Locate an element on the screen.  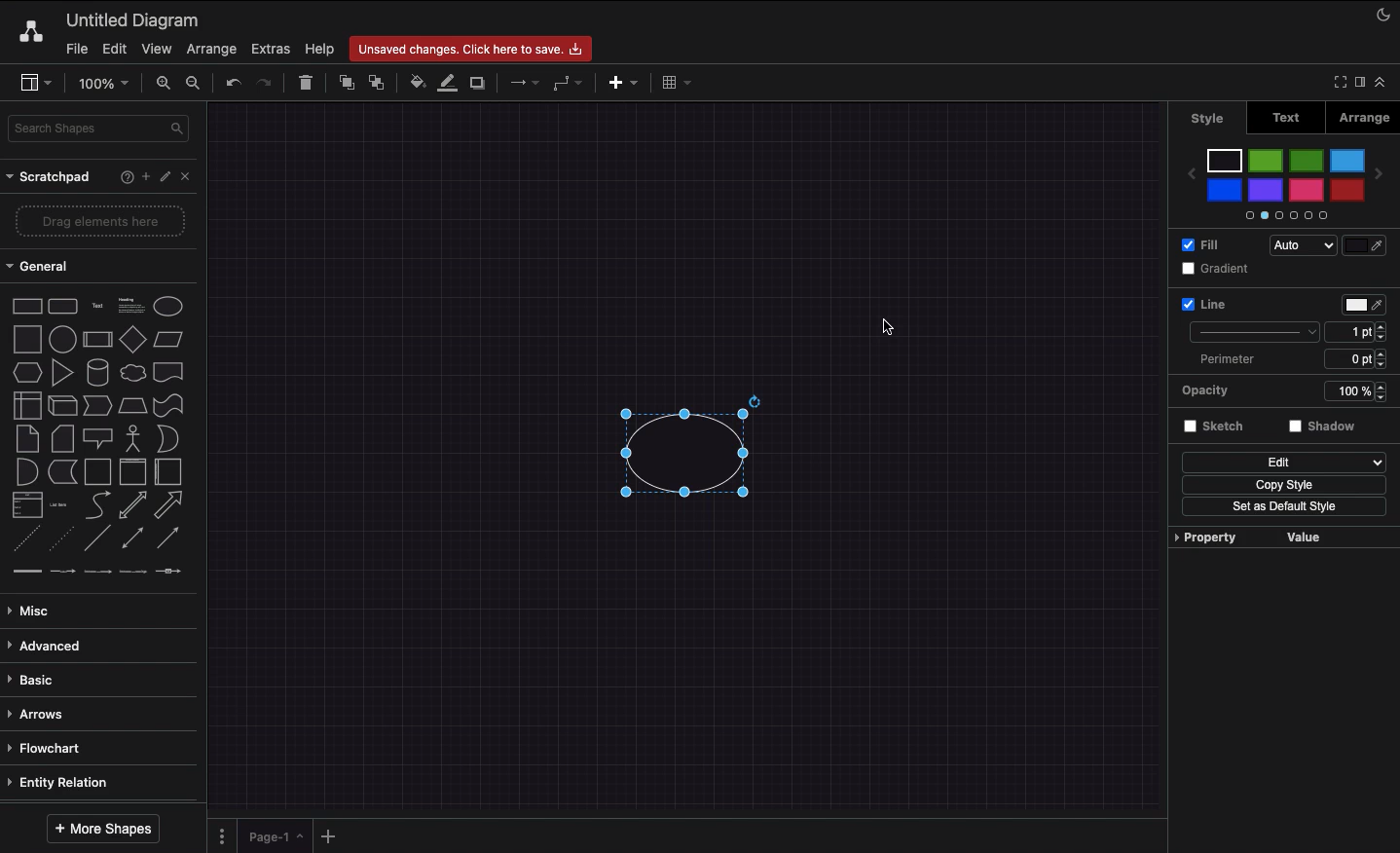
Diamond is located at coordinates (132, 340).